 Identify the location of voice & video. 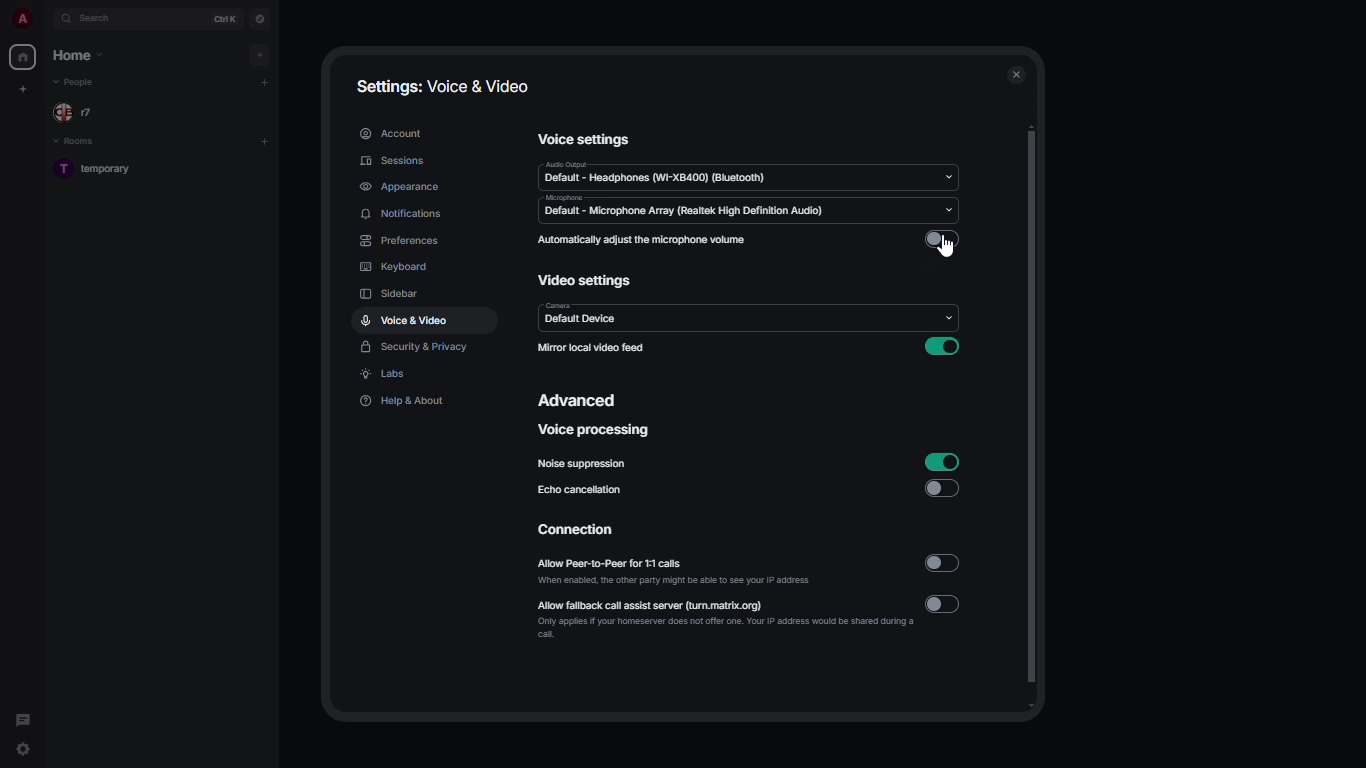
(404, 320).